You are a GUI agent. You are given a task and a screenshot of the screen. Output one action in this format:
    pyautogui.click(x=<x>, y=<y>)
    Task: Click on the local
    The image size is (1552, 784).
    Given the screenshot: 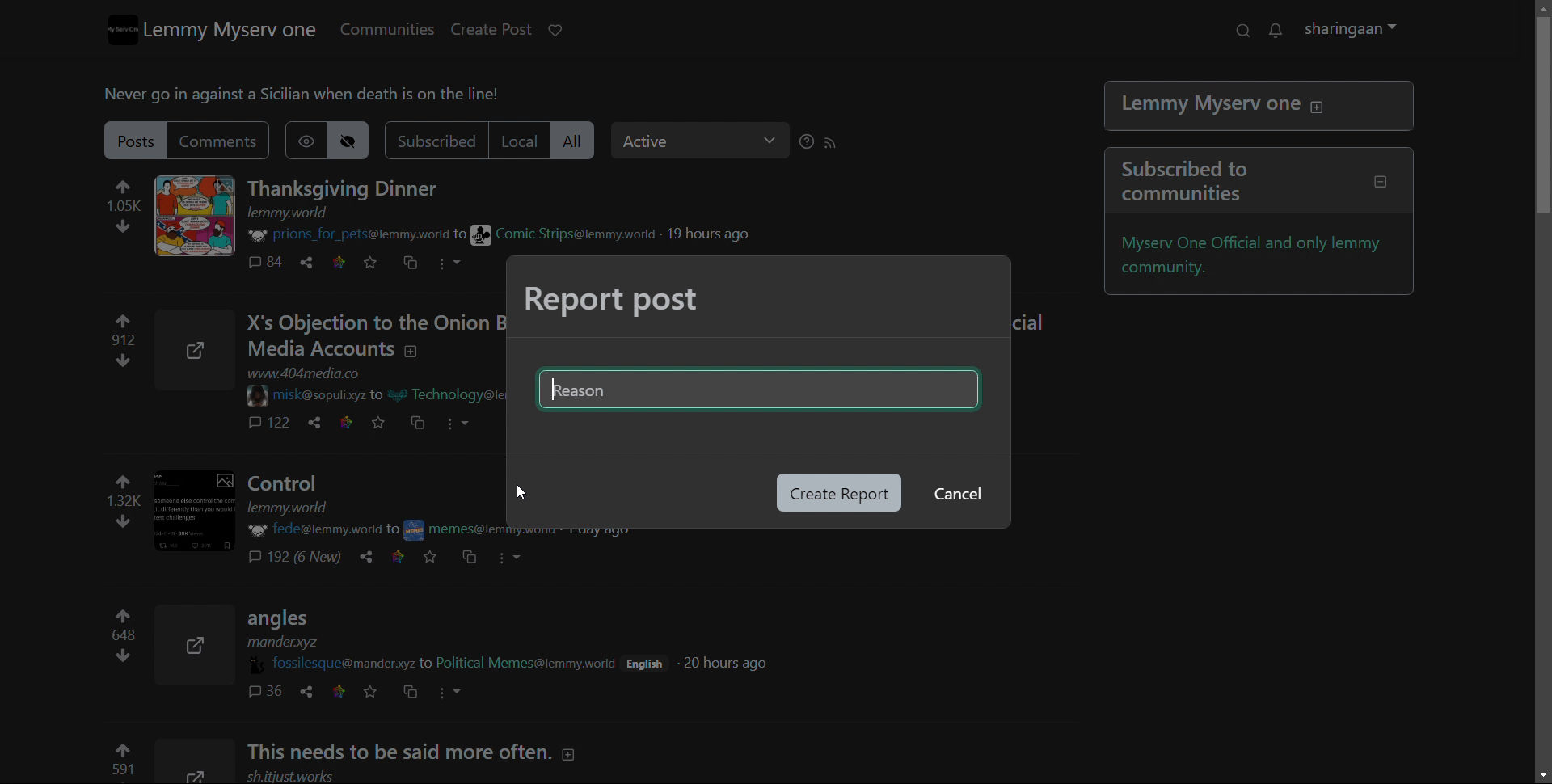 What is the action you would take?
    pyautogui.click(x=527, y=140)
    